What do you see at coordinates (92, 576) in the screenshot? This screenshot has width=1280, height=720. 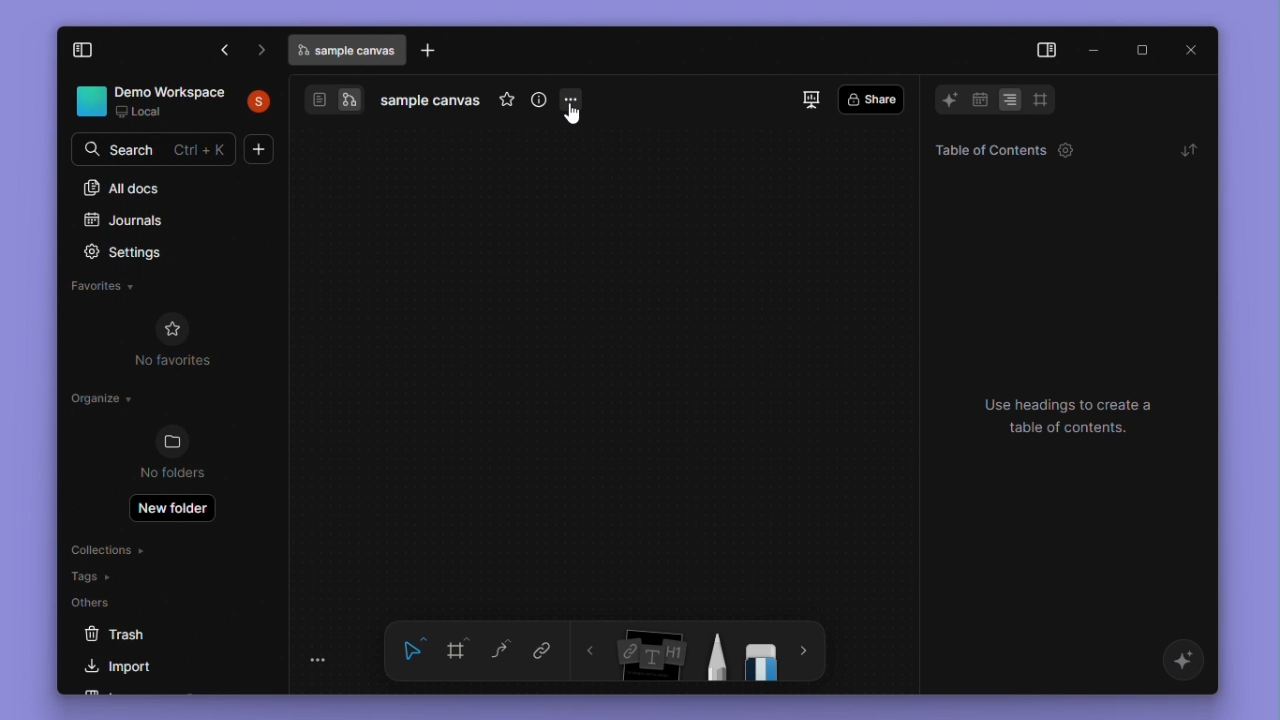 I see `tags` at bounding box center [92, 576].